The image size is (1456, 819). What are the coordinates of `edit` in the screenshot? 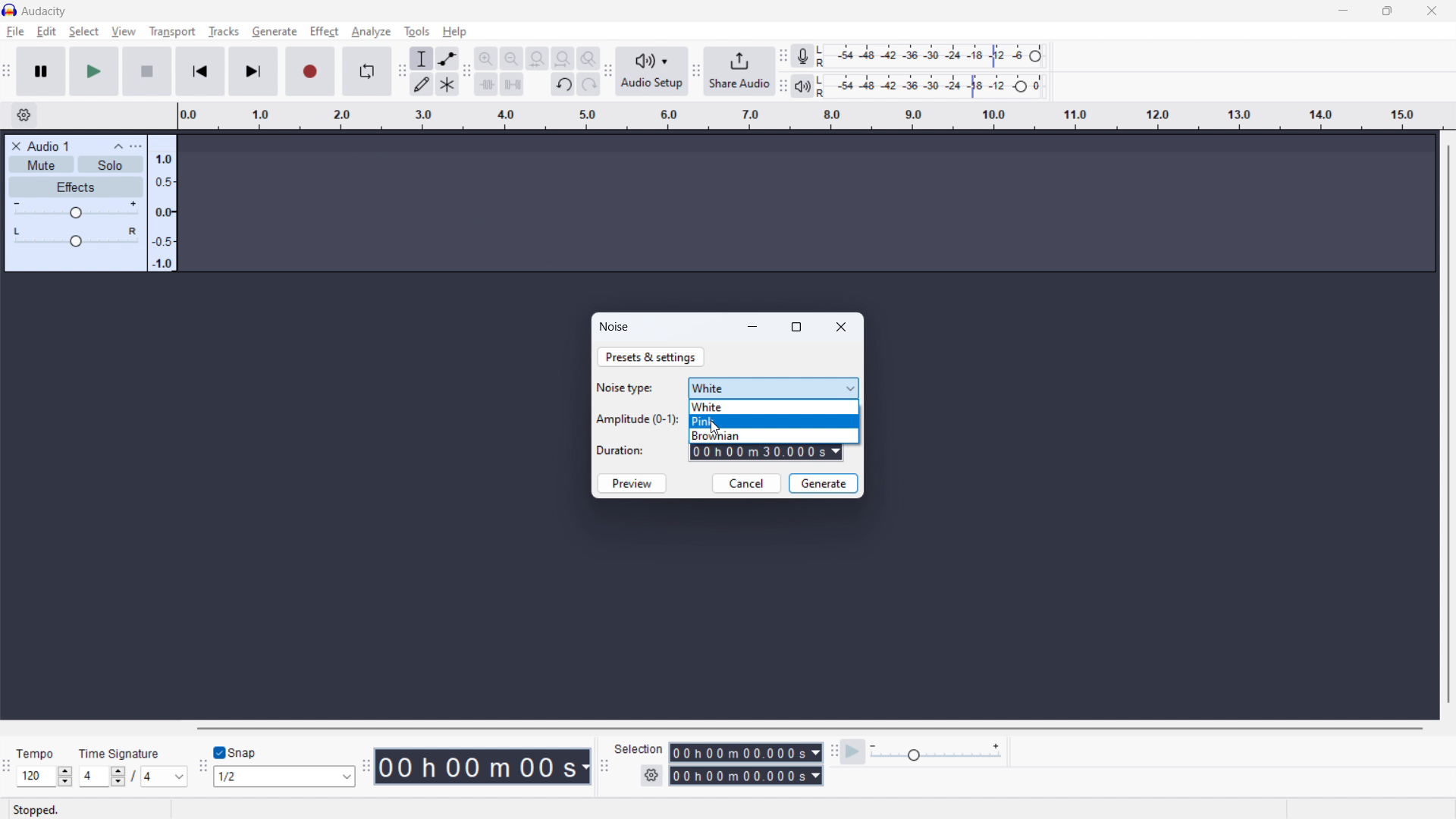 It's located at (46, 31).